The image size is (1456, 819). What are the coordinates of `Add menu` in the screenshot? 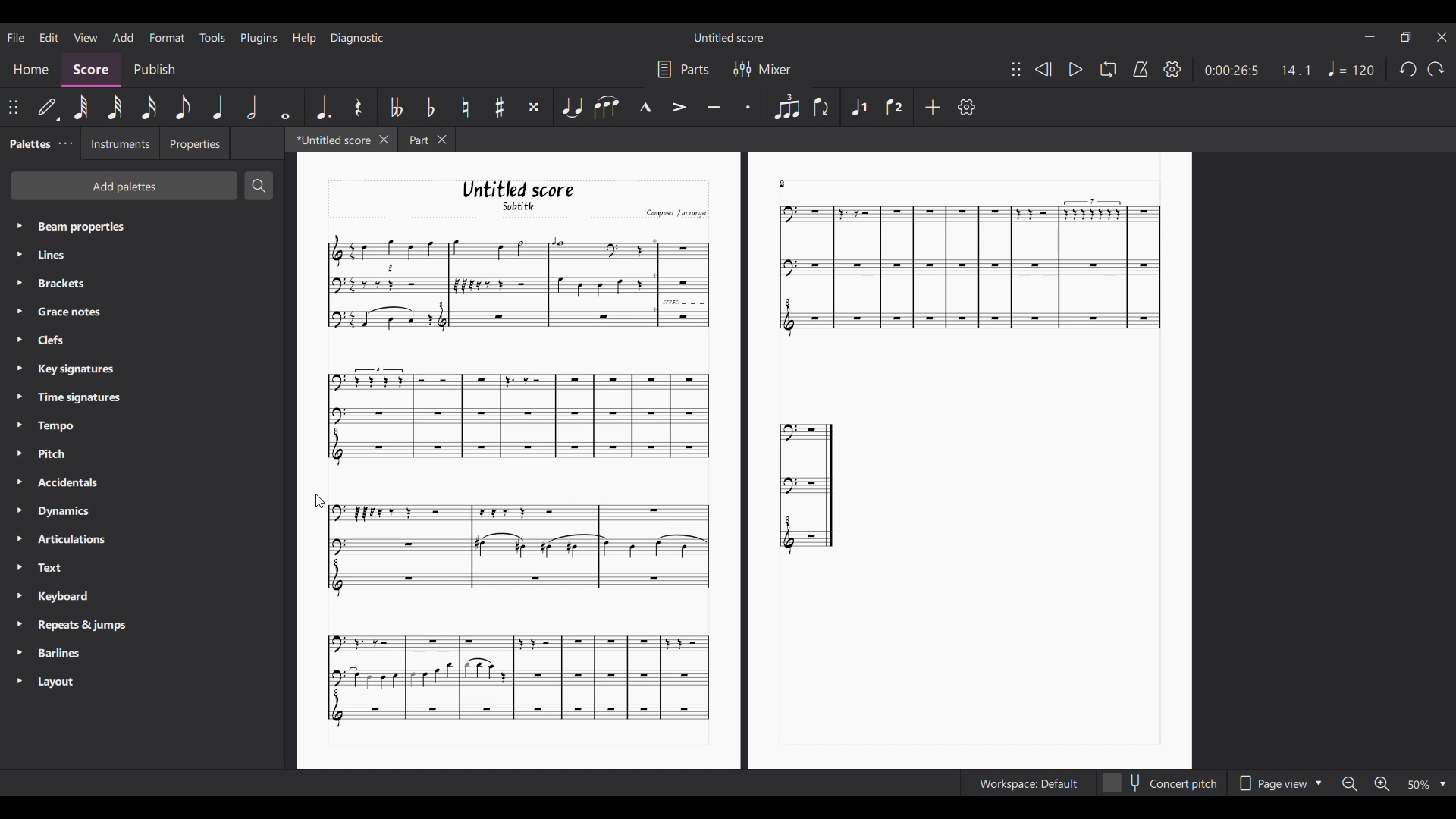 It's located at (122, 36).